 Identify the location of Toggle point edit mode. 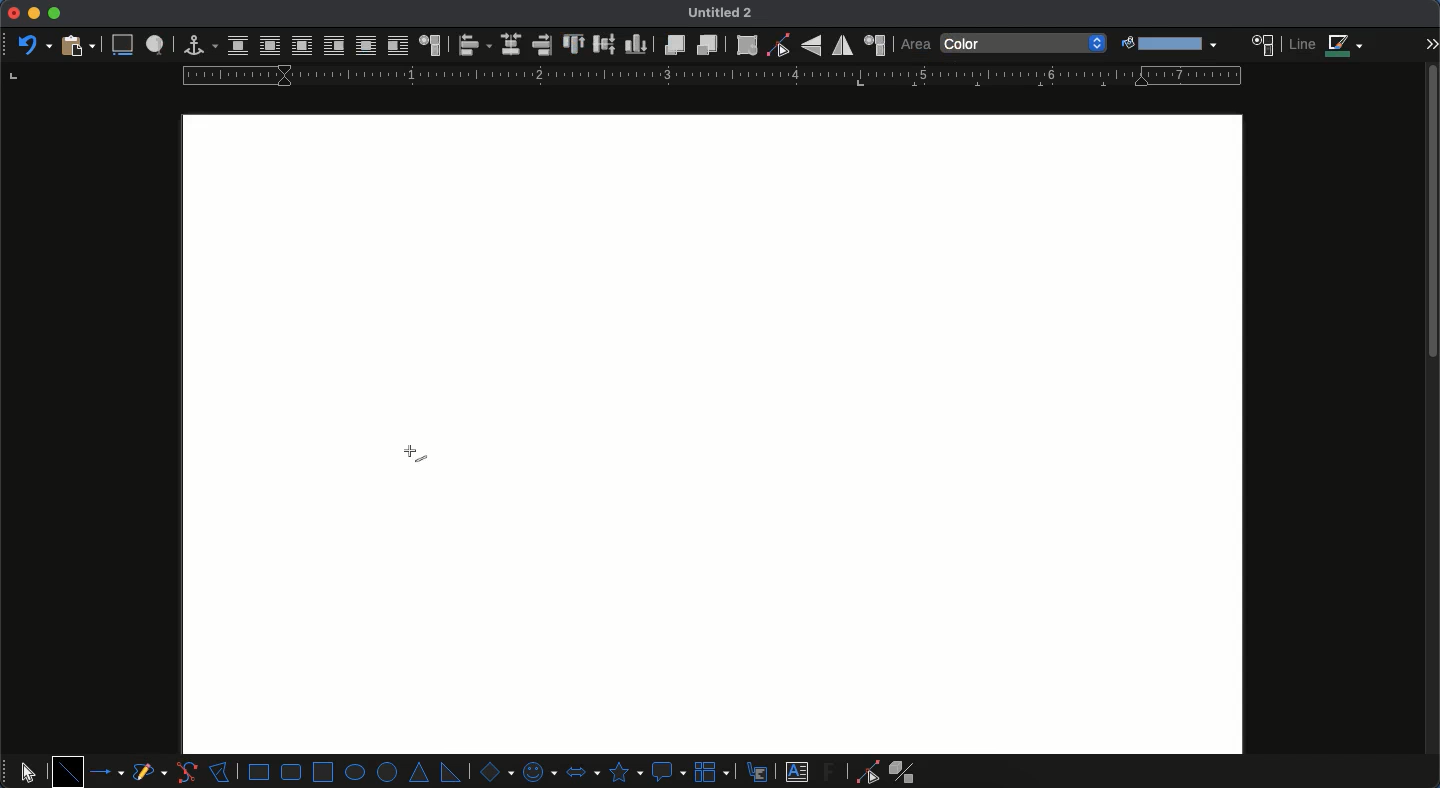
(778, 46).